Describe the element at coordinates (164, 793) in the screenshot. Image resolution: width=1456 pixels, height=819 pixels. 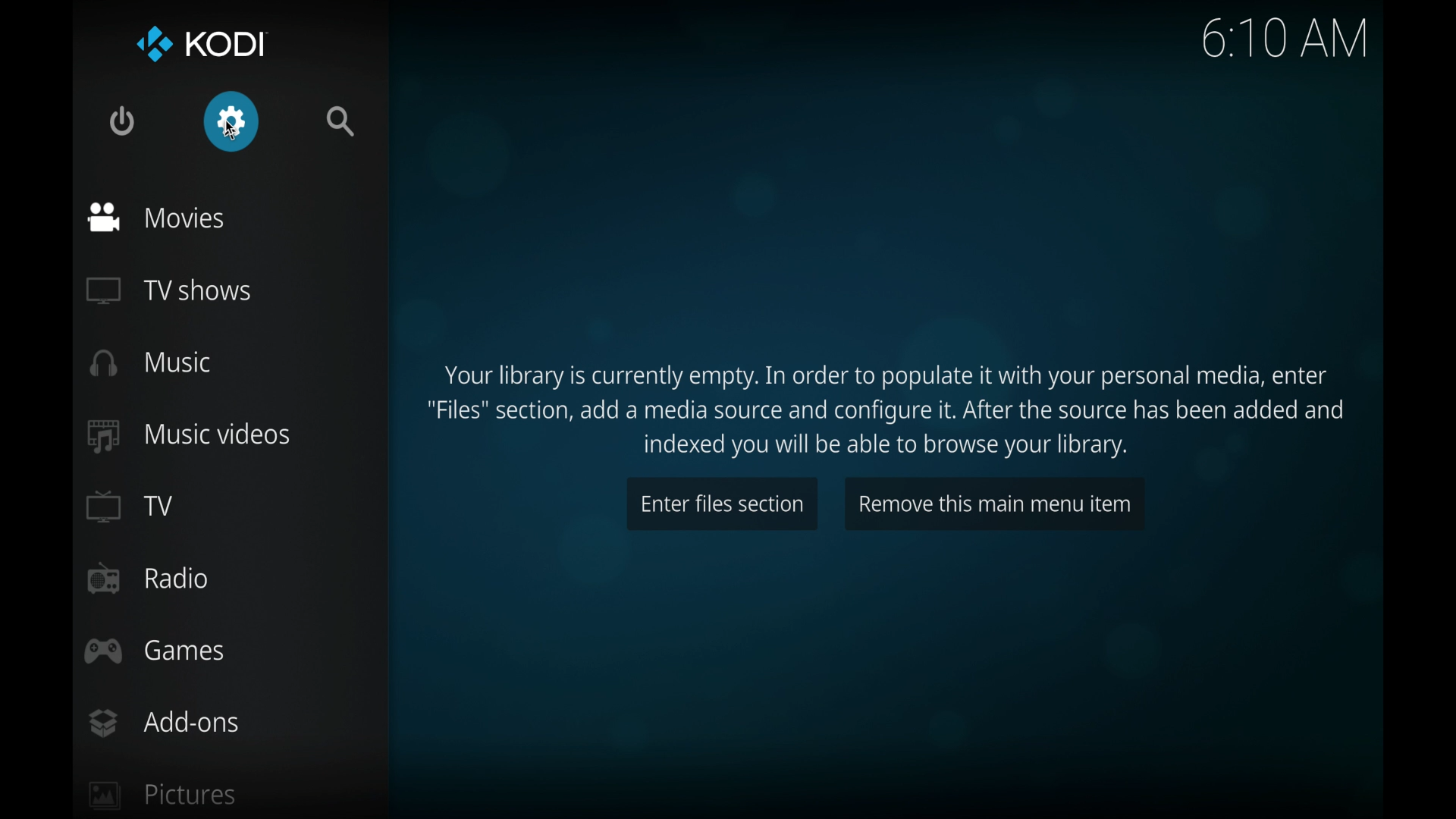
I see `pictures` at that location.